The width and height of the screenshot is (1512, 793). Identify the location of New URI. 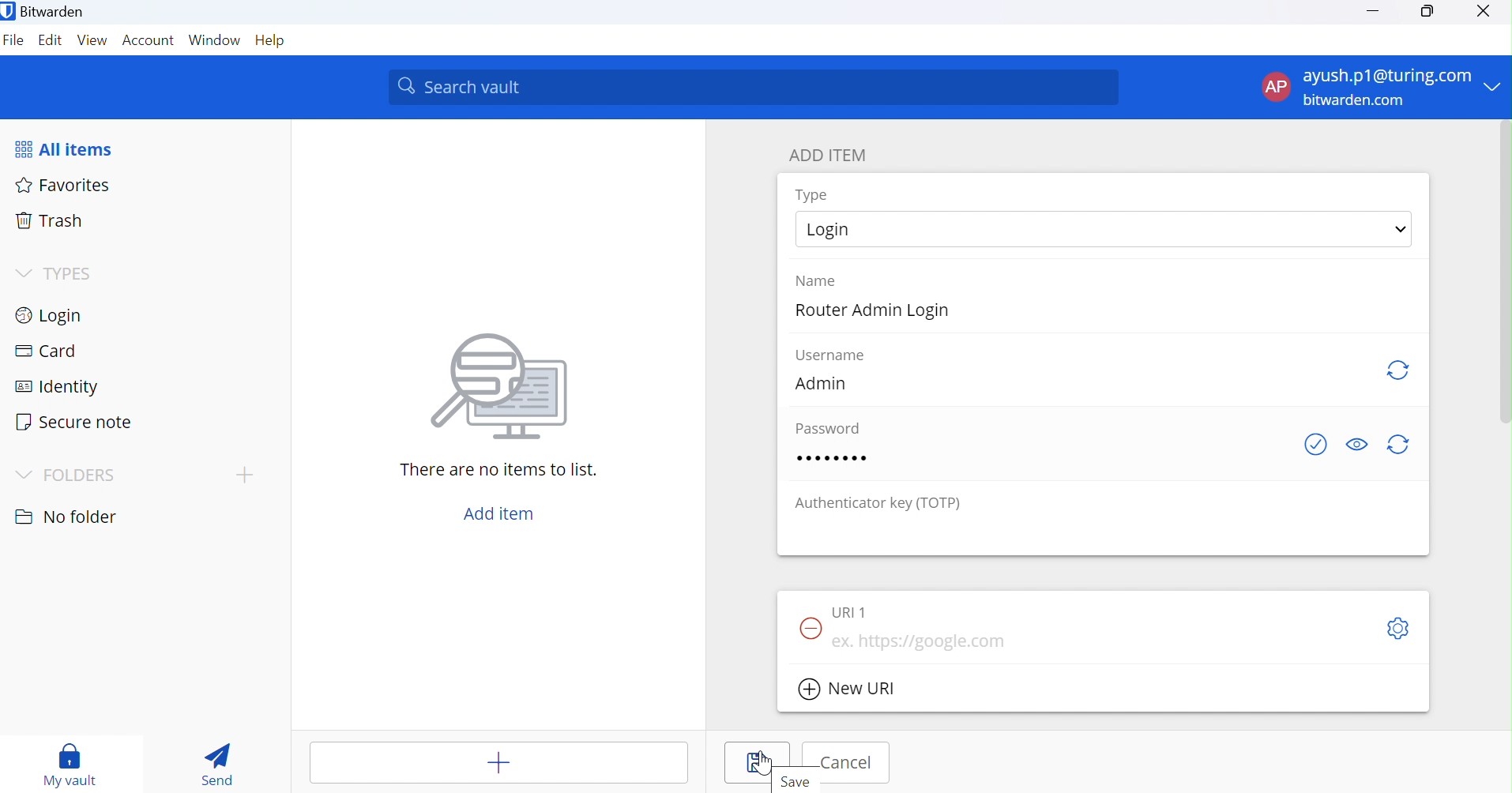
(851, 690).